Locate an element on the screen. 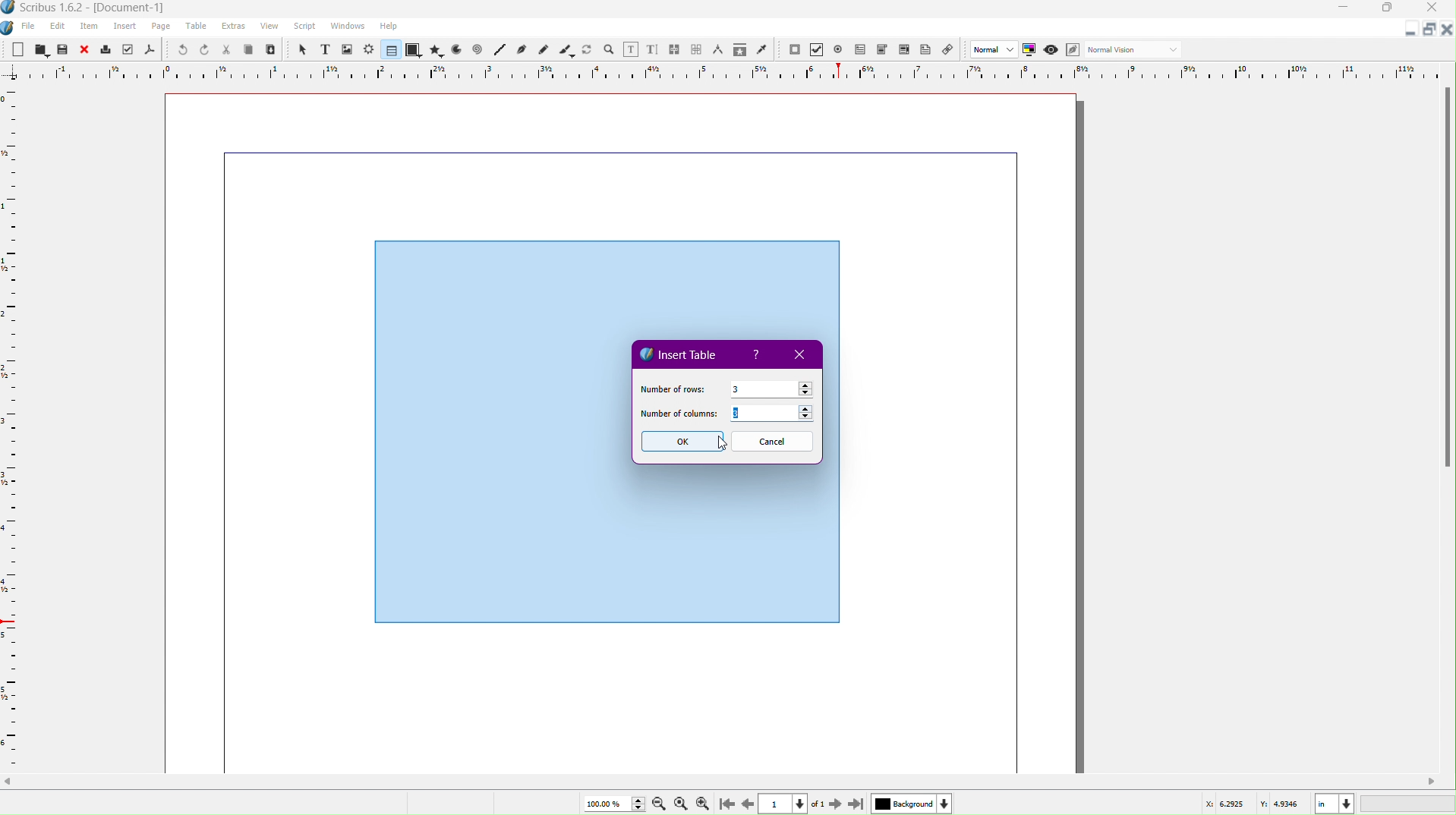  Save as PDF is located at coordinates (149, 50).